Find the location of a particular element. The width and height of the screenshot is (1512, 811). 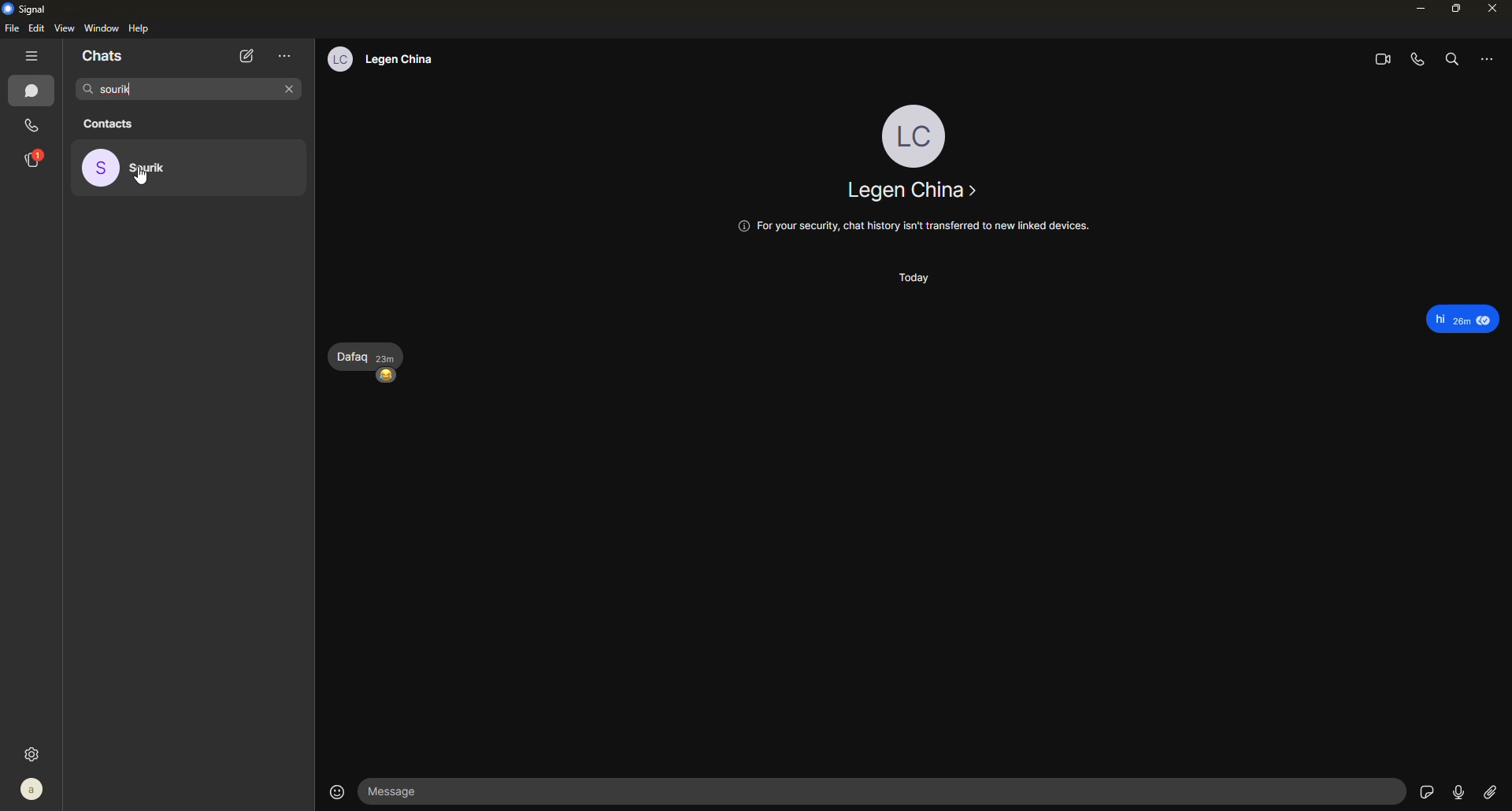

contacts is located at coordinates (147, 122).